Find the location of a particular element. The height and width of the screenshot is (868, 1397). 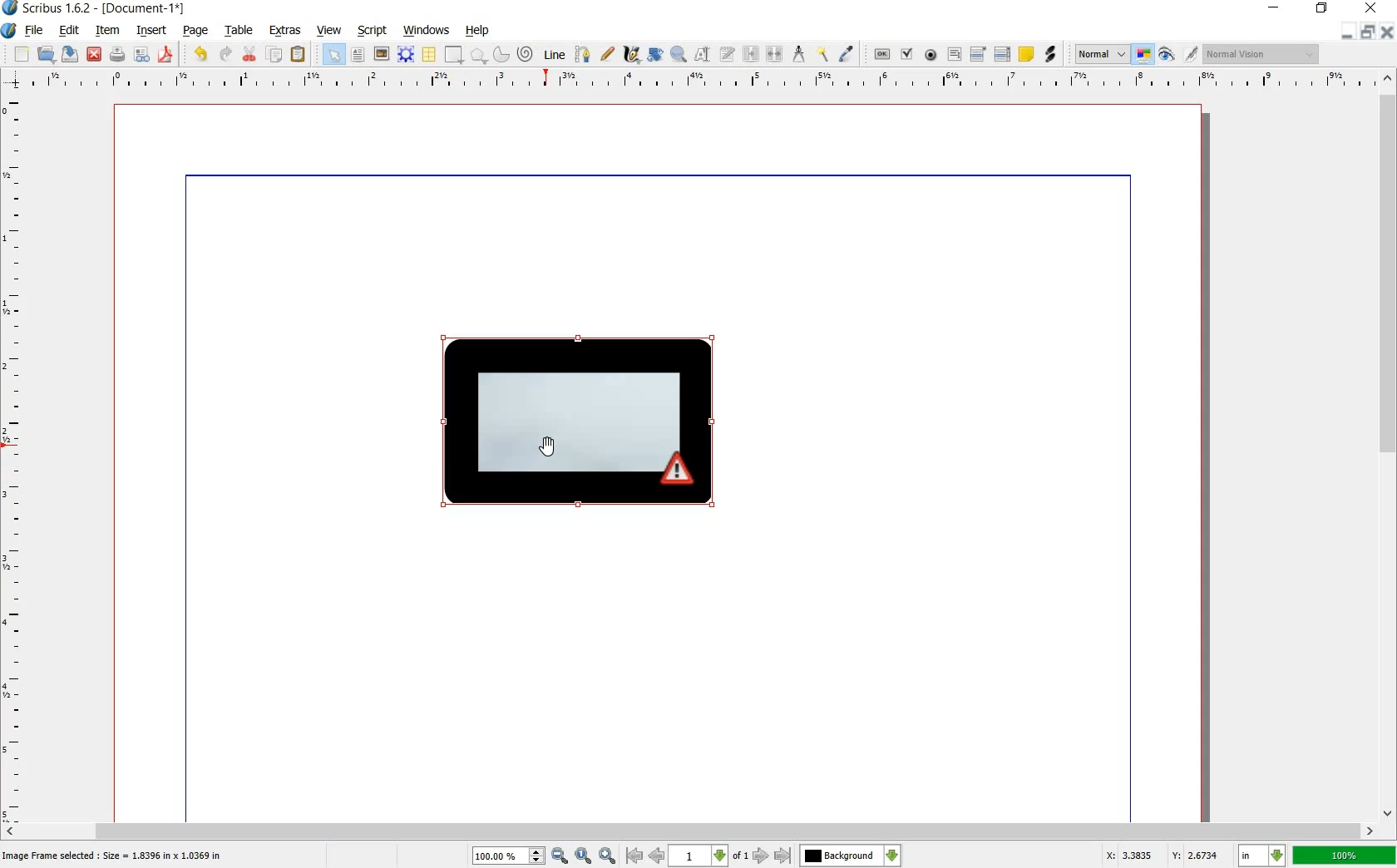

minimize is located at coordinates (1345, 32).